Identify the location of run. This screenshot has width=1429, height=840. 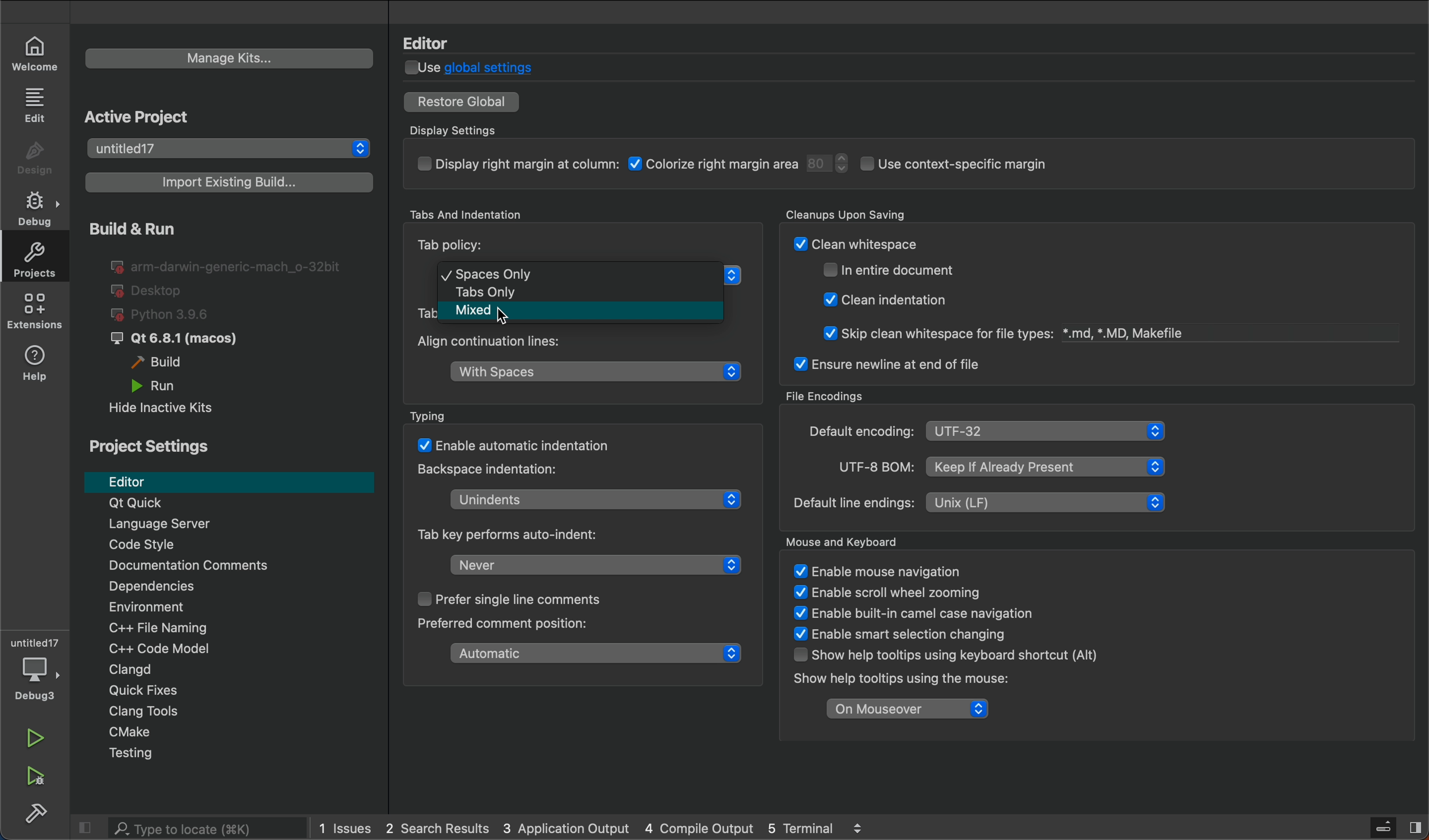
(38, 739).